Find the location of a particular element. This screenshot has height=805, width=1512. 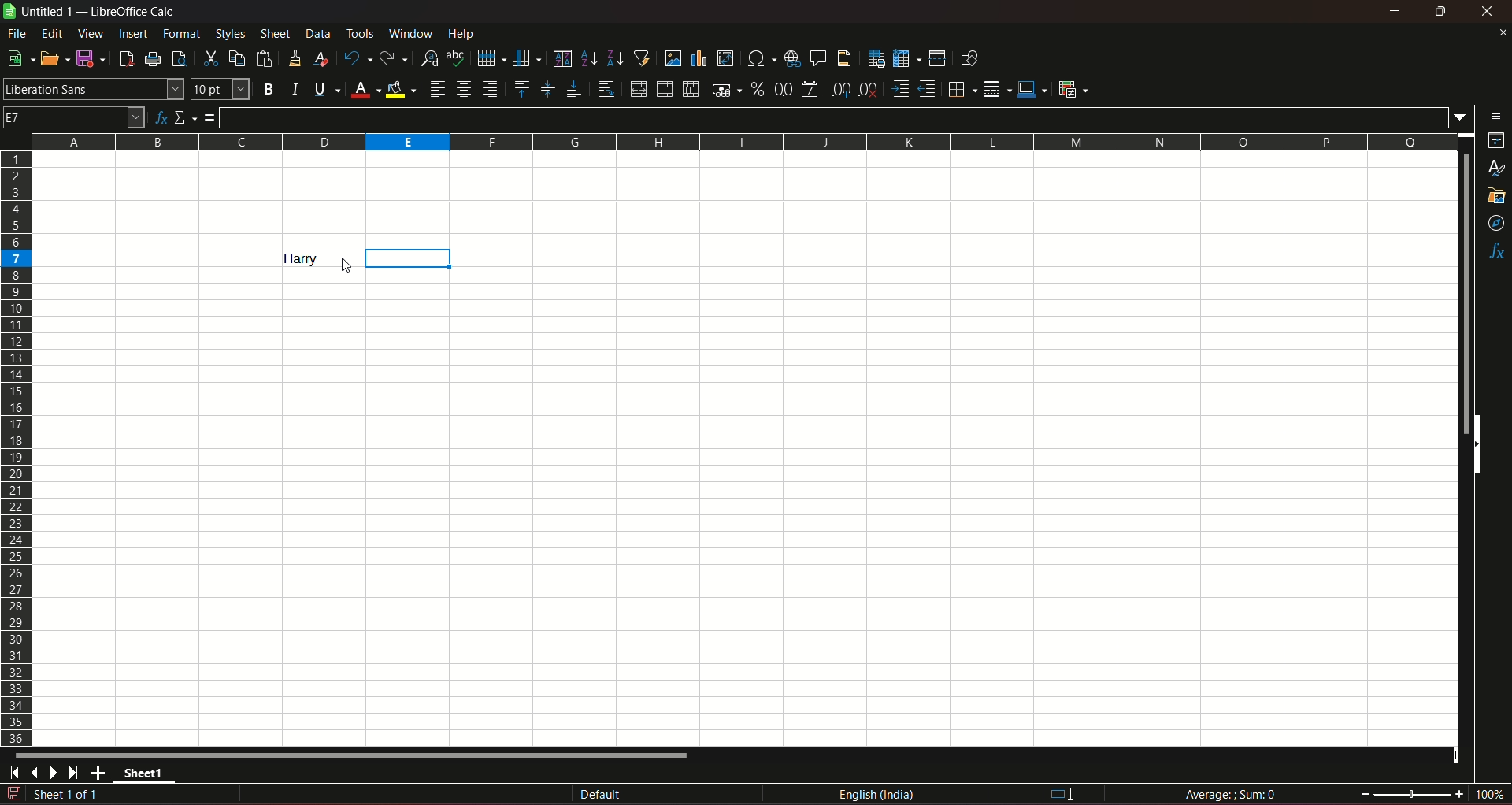

save is located at coordinates (87, 57).